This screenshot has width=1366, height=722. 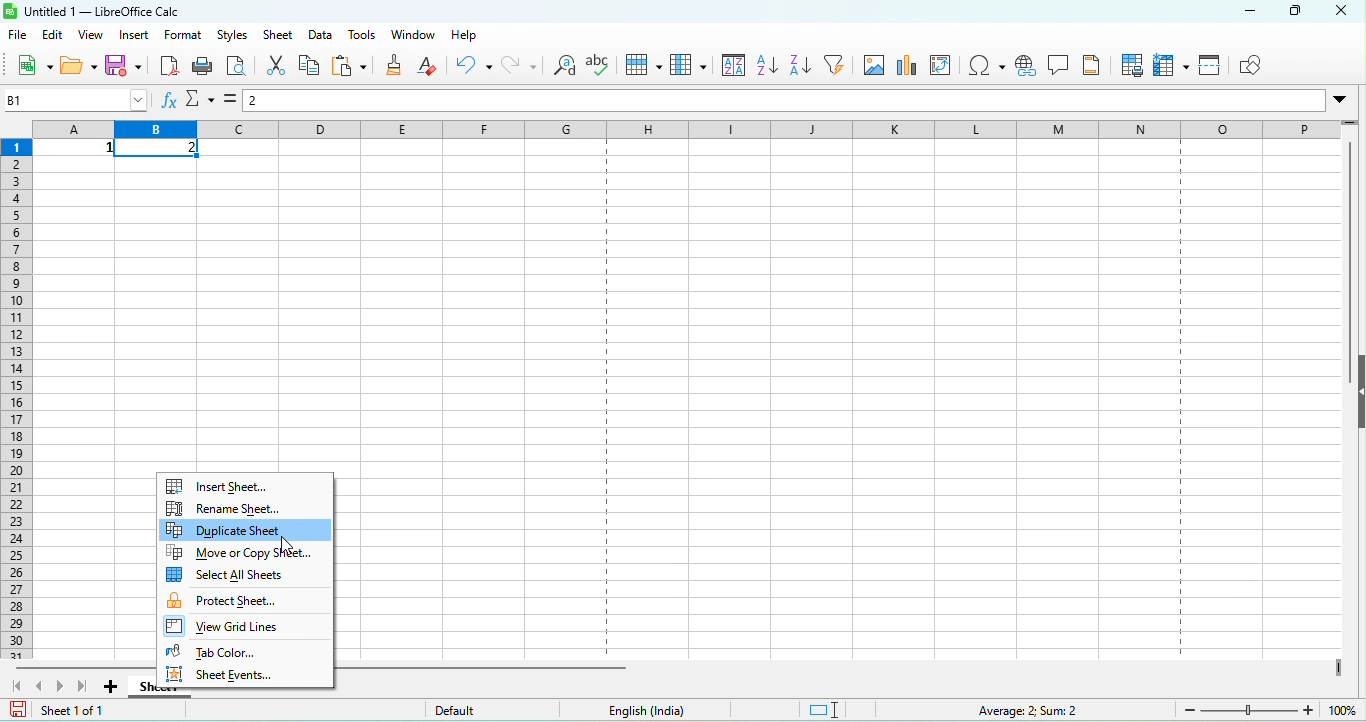 What do you see at coordinates (161, 150) in the screenshot?
I see `2` at bounding box center [161, 150].